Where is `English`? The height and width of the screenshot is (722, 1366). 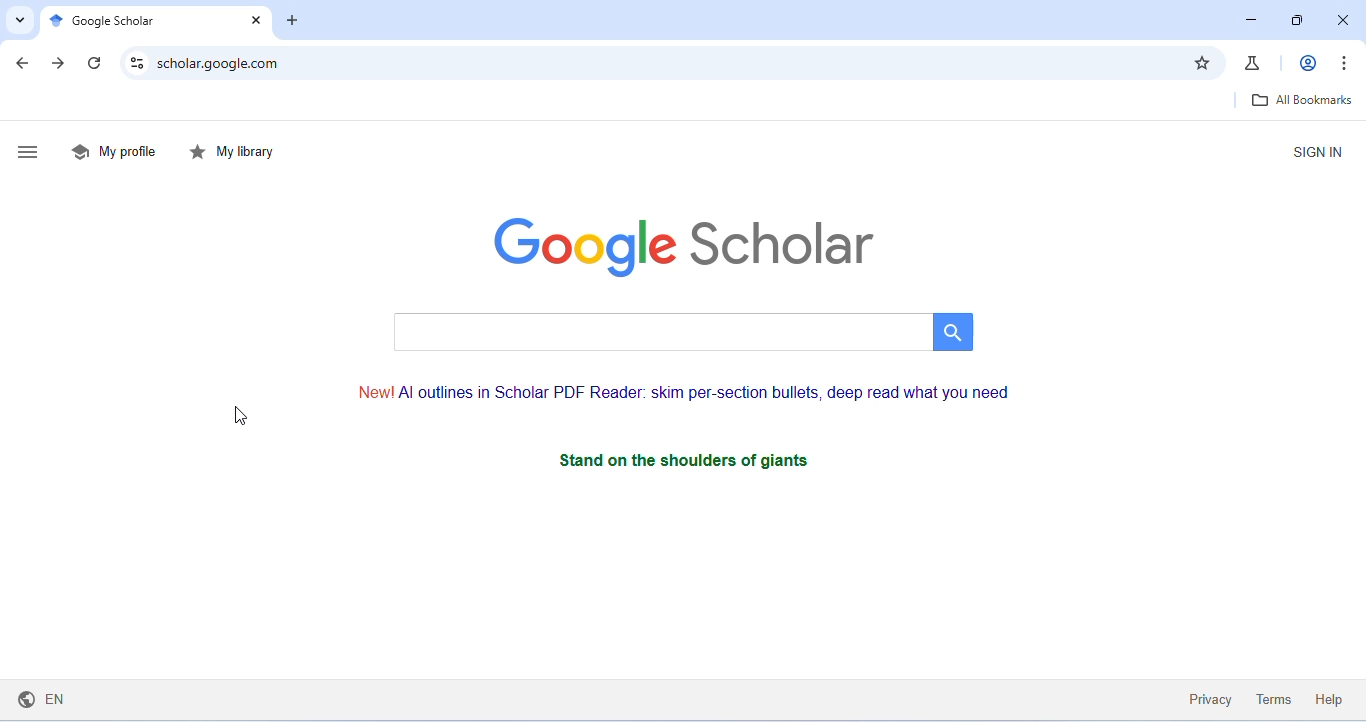 English is located at coordinates (46, 697).